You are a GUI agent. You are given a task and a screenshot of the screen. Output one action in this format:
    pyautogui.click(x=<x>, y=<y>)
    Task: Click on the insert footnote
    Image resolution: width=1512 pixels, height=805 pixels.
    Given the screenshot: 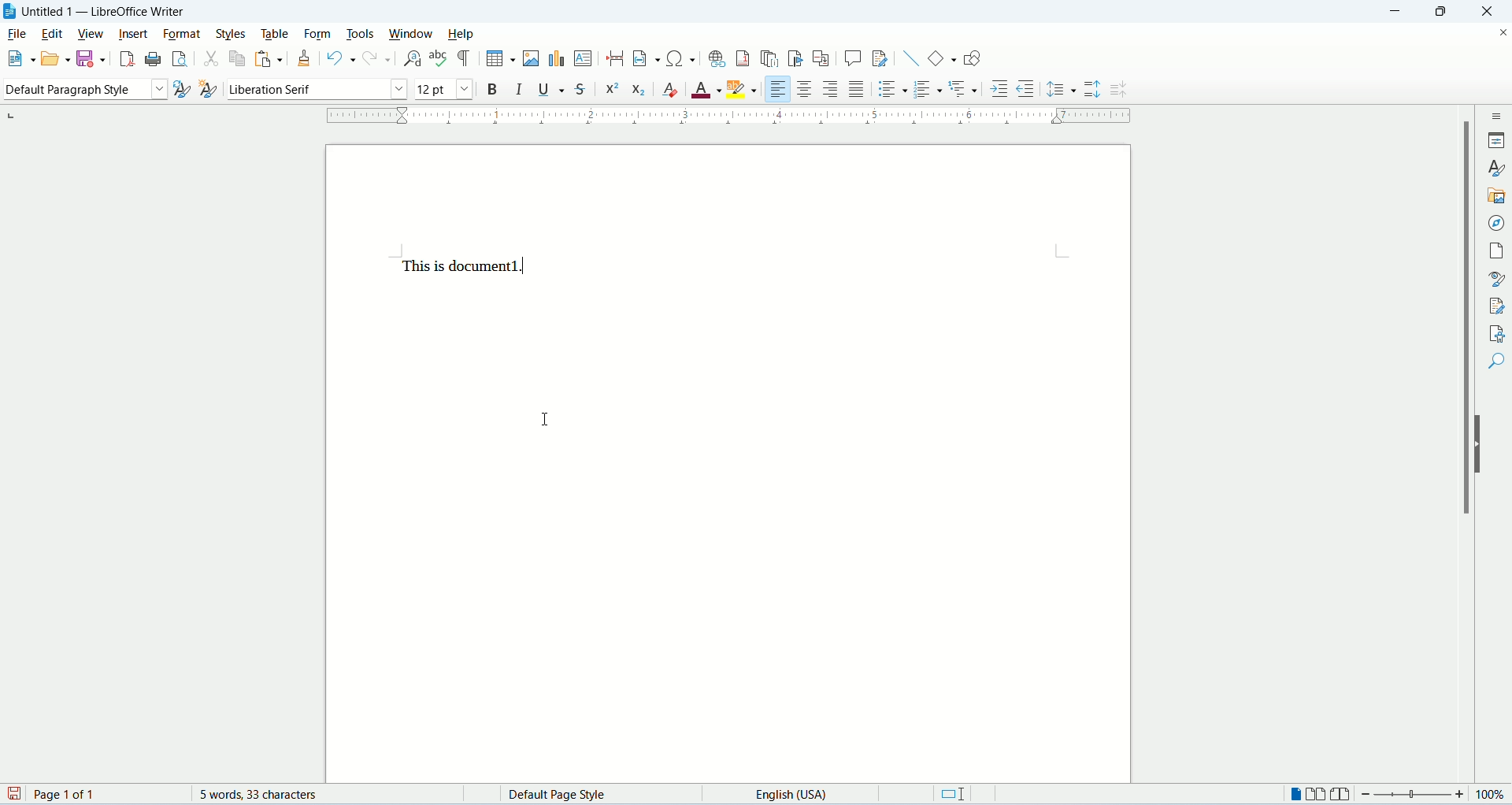 What is the action you would take?
    pyautogui.click(x=743, y=58)
    